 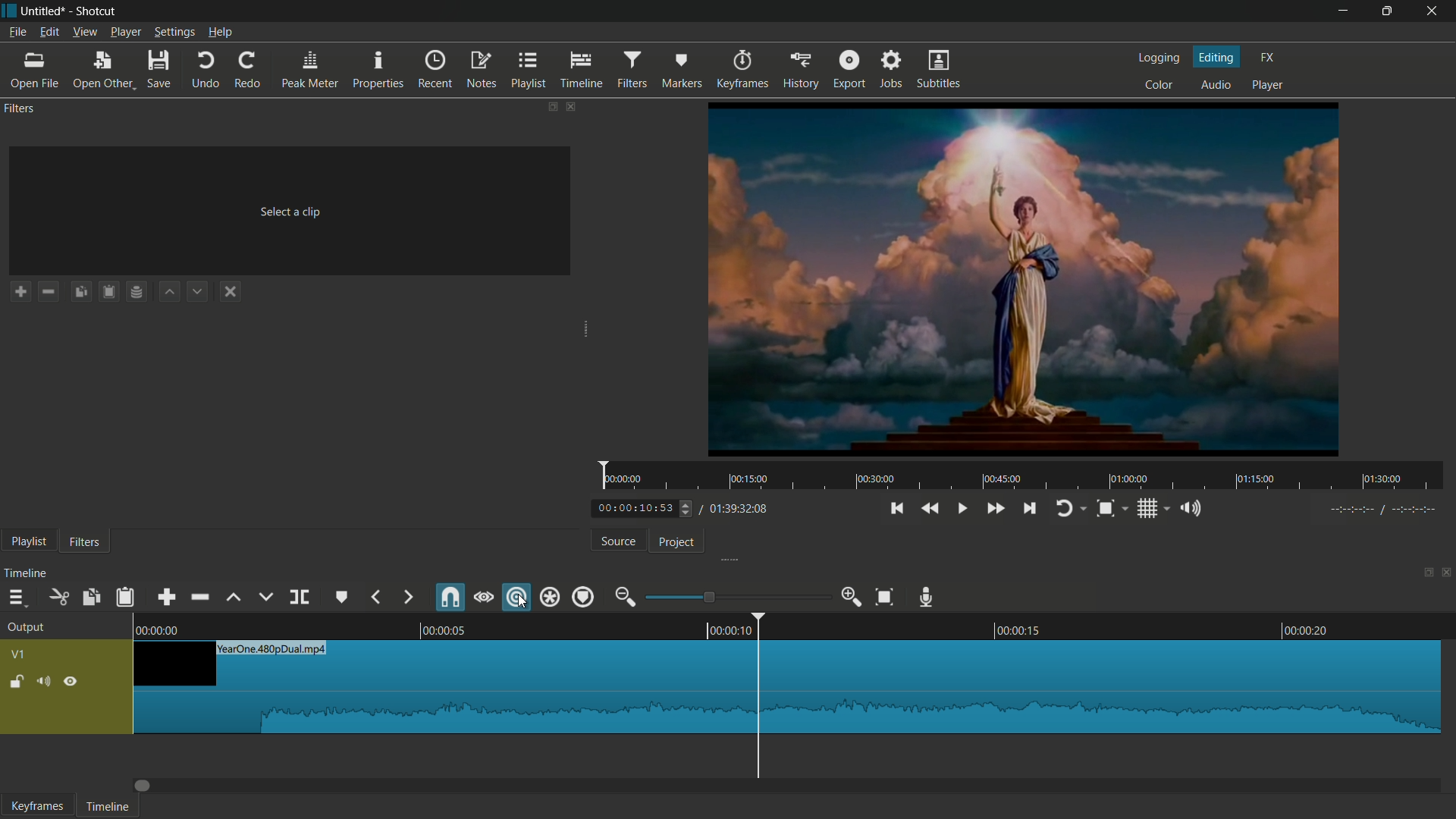 I want to click on ripple, so click(x=513, y=597).